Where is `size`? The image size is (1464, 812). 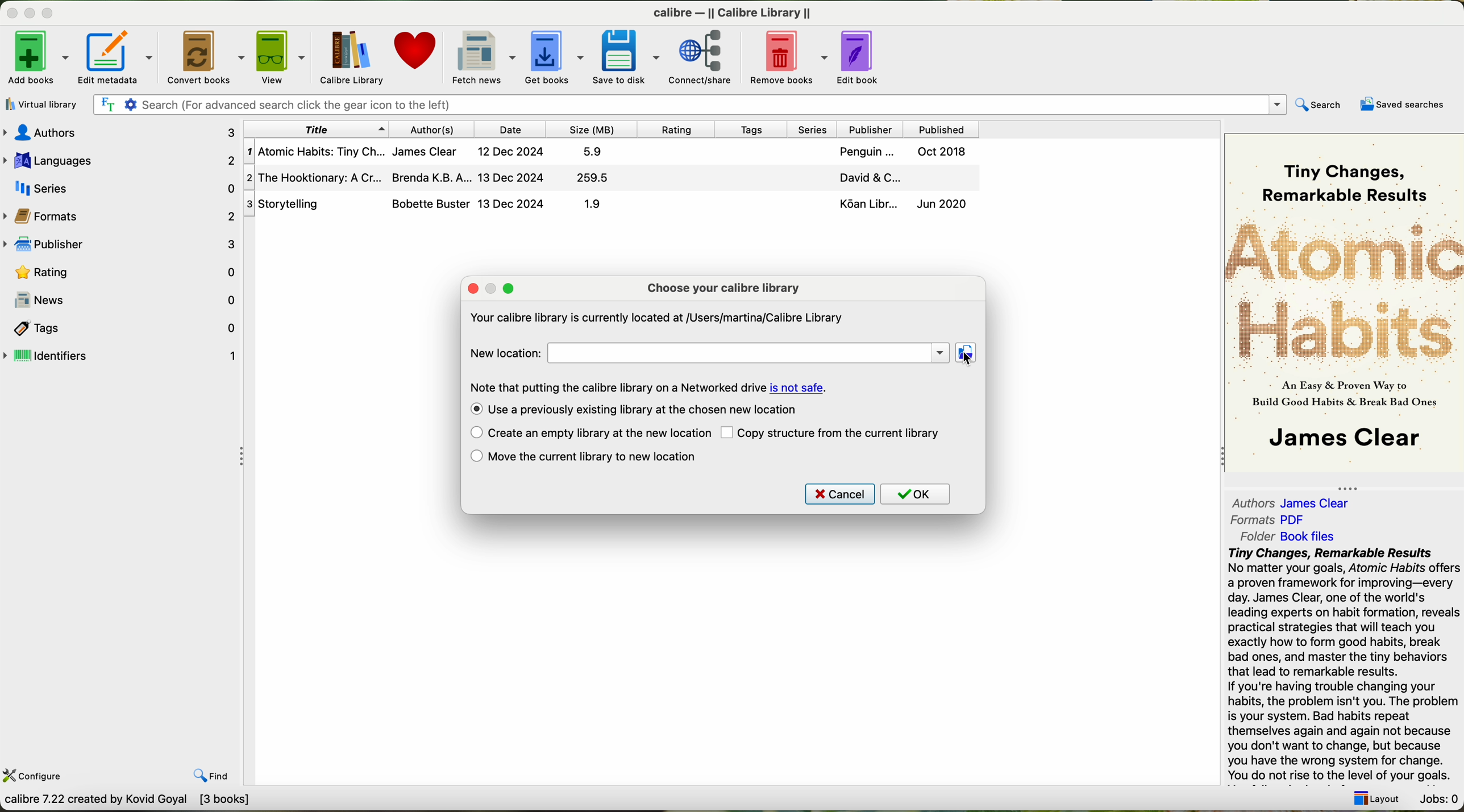 size is located at coordinates (592, 130).